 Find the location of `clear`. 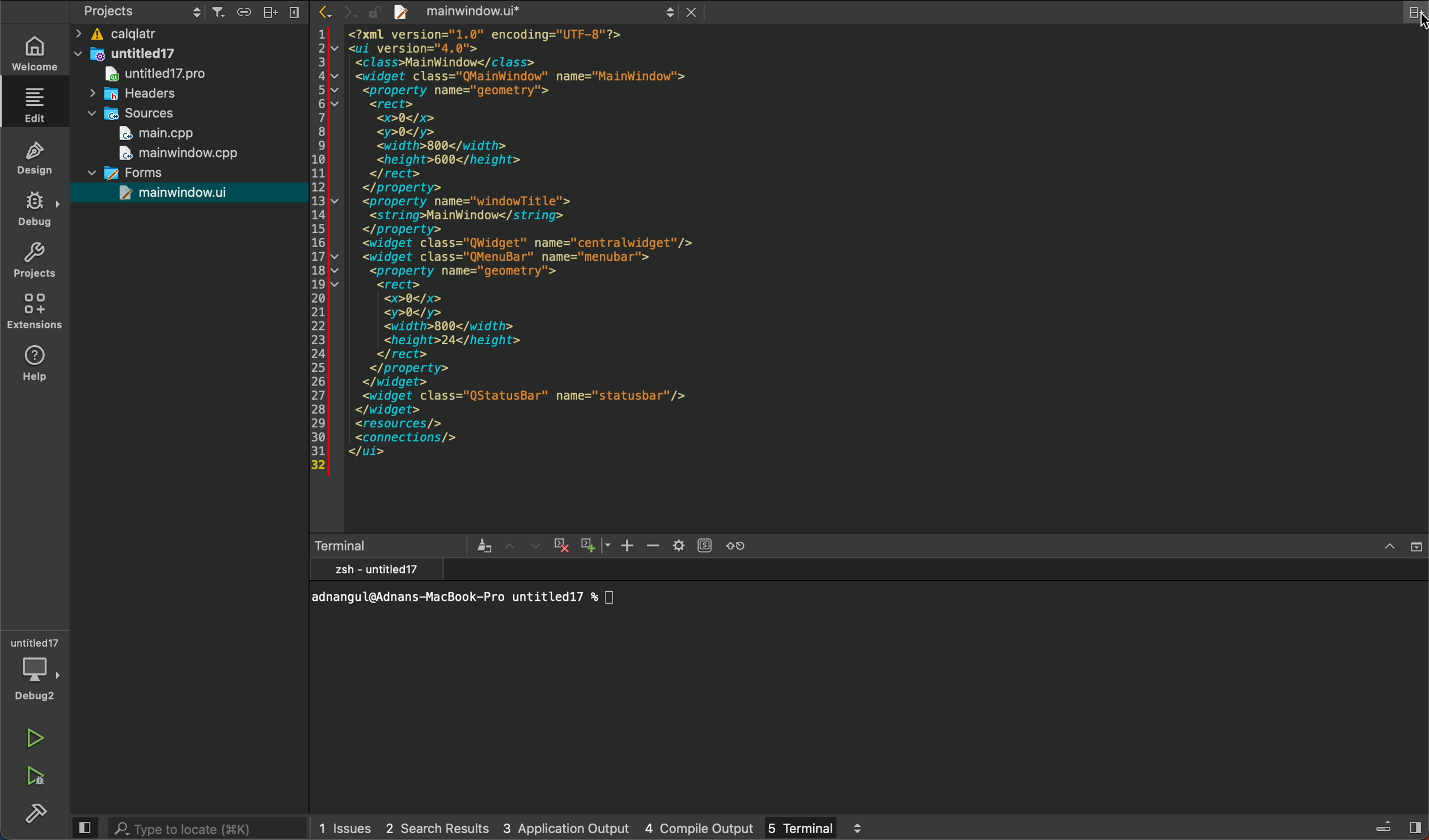

clear is located at coordinates (485, 545).